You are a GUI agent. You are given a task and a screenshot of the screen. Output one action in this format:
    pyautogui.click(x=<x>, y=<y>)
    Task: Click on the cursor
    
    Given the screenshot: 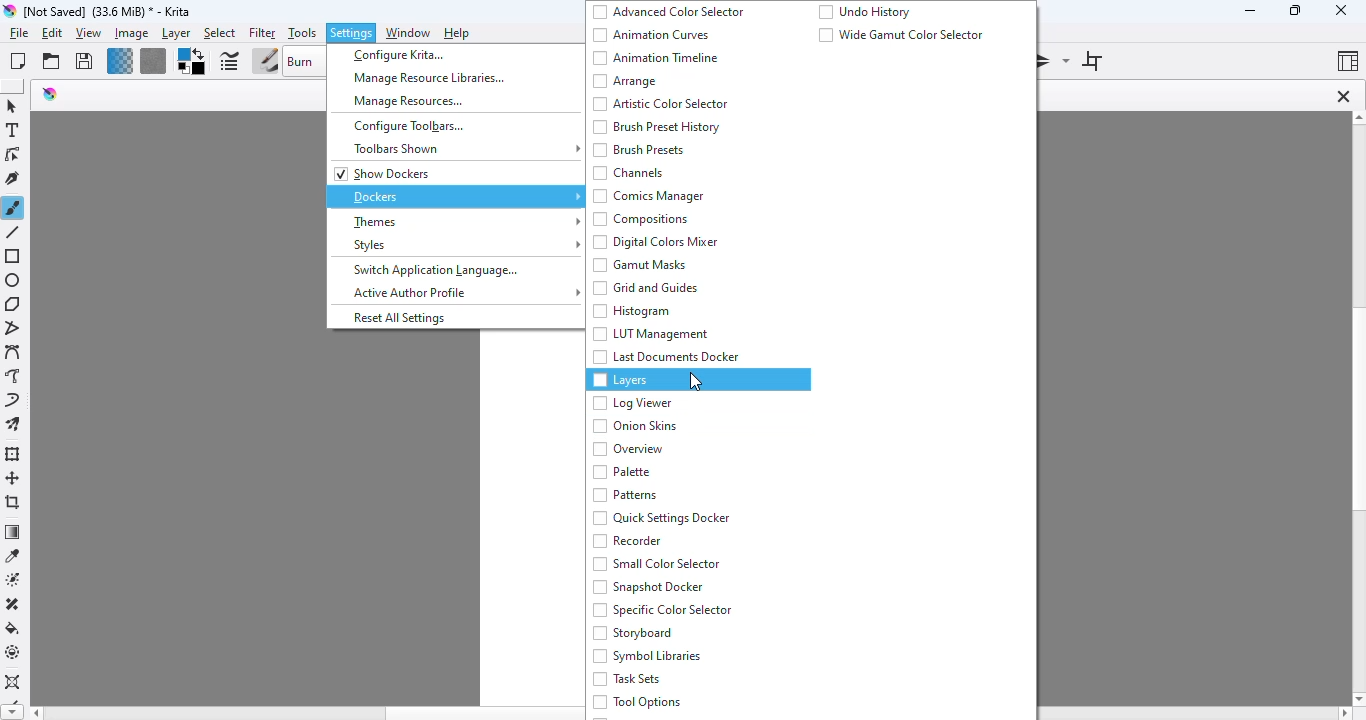 What is the action you would take?
    pyautogui.click(x=696, y=381)
    